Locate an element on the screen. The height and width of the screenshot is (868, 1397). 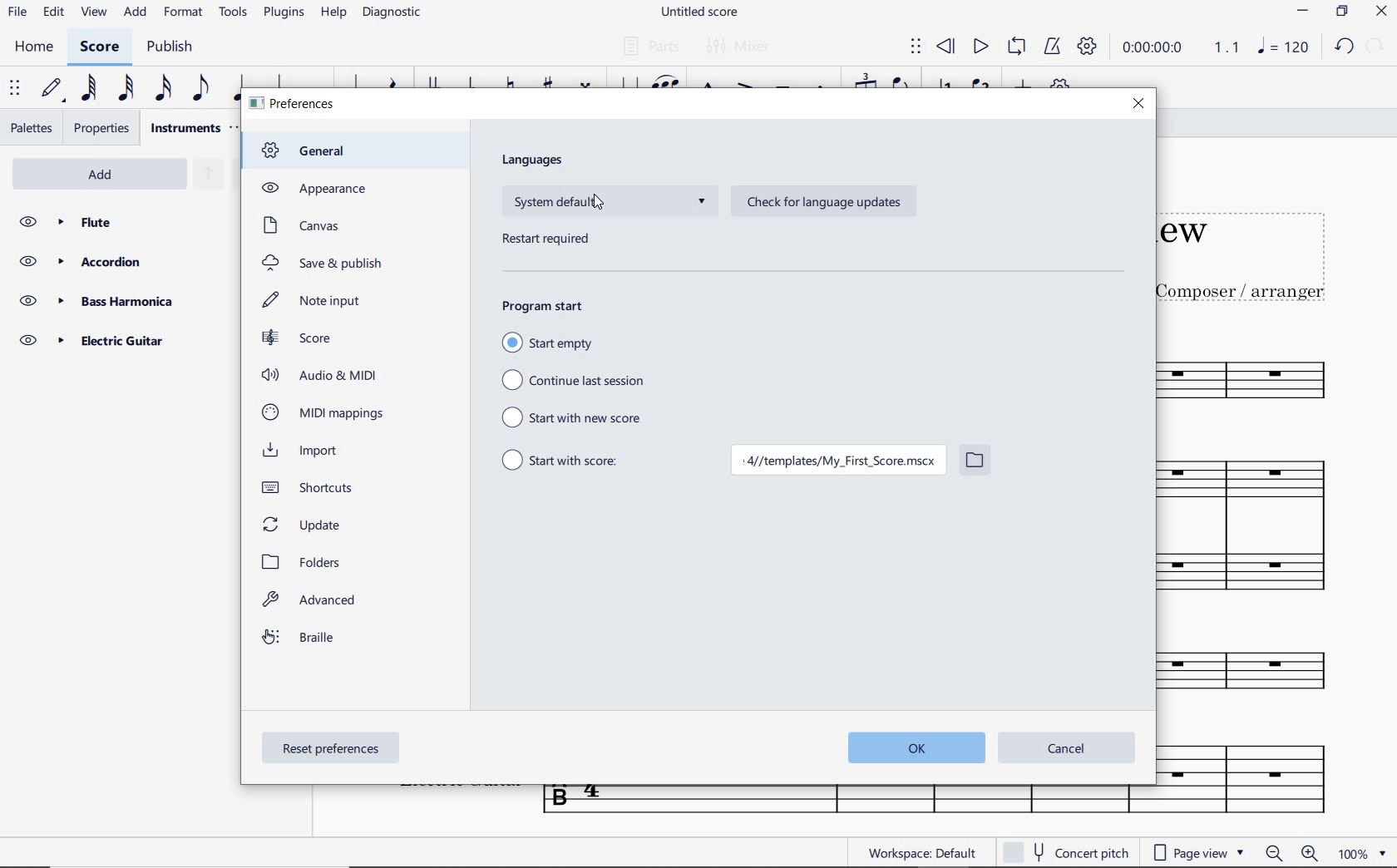
64th note is located at coordinates (87, 89).